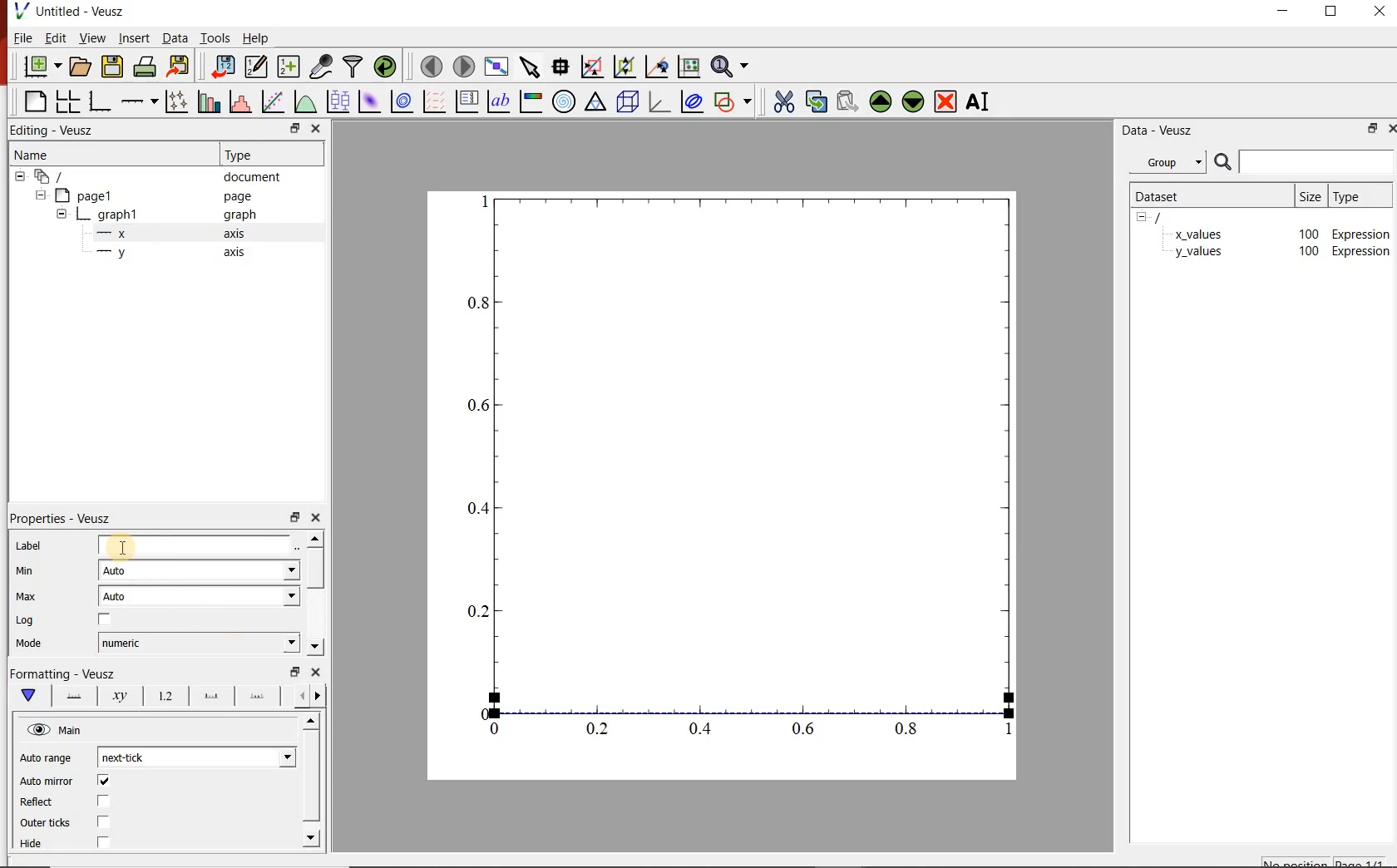 This screenshot has height=868, width=1397. I want to click on edit and center new datasets, so click(258, 67).